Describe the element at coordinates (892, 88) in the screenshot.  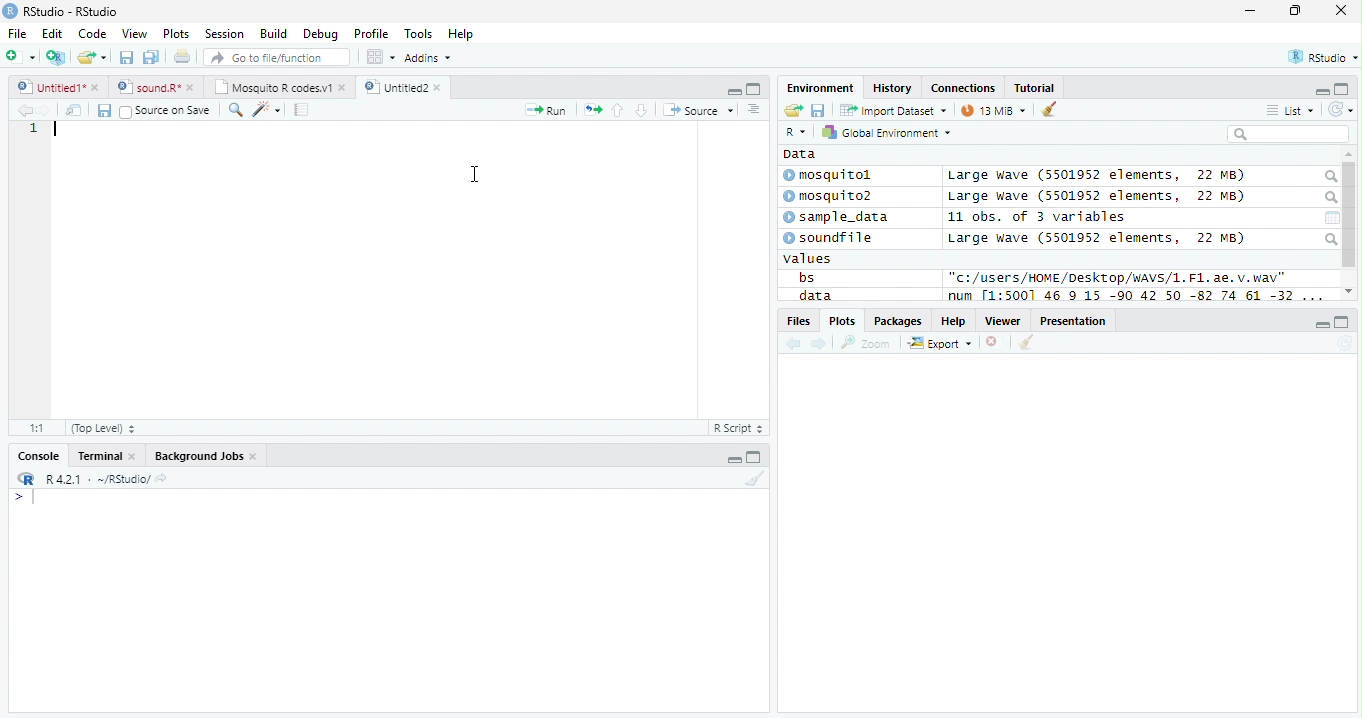
I see `History` at that location.